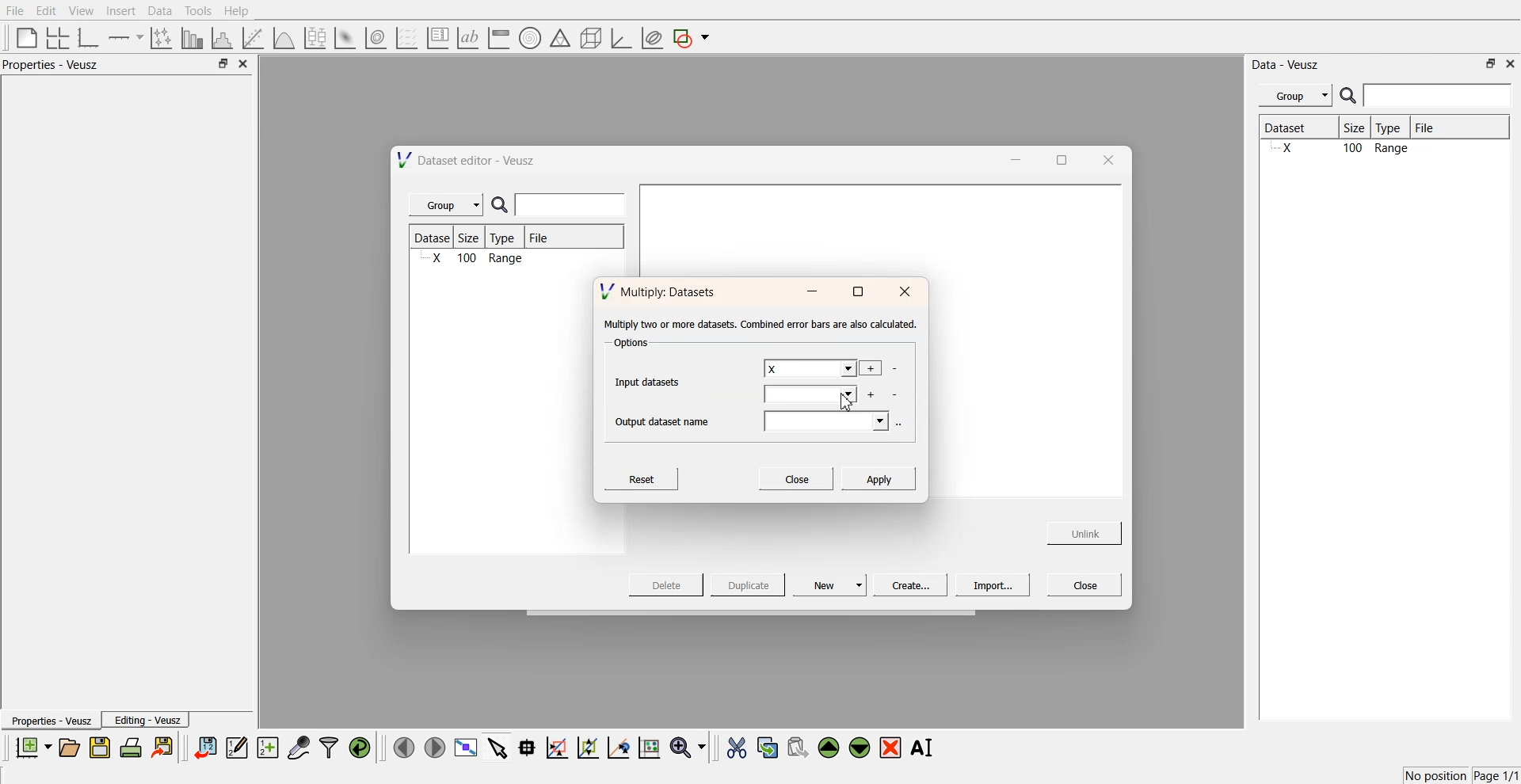  I want to click on X 100 Range, so click(475, 260).